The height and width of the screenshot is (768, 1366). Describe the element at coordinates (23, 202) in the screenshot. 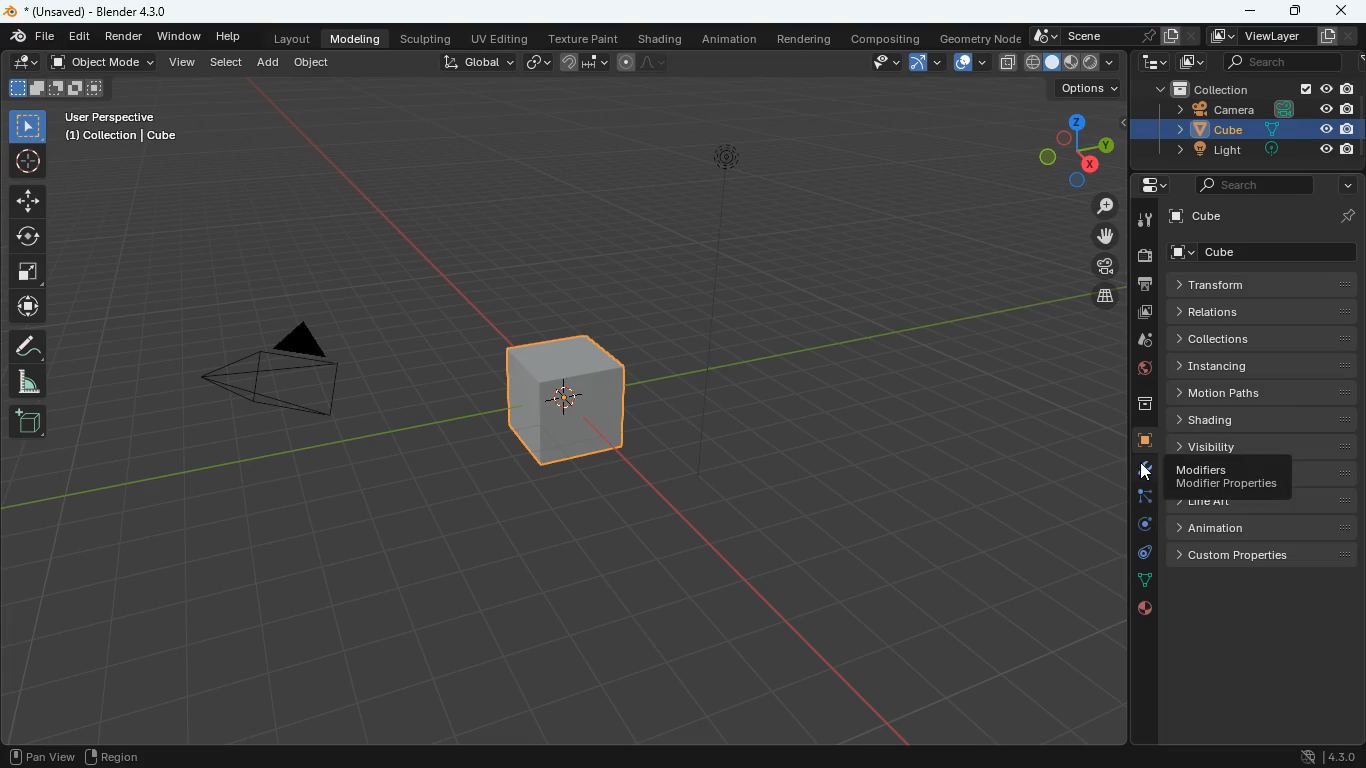

I see `move` at that location.